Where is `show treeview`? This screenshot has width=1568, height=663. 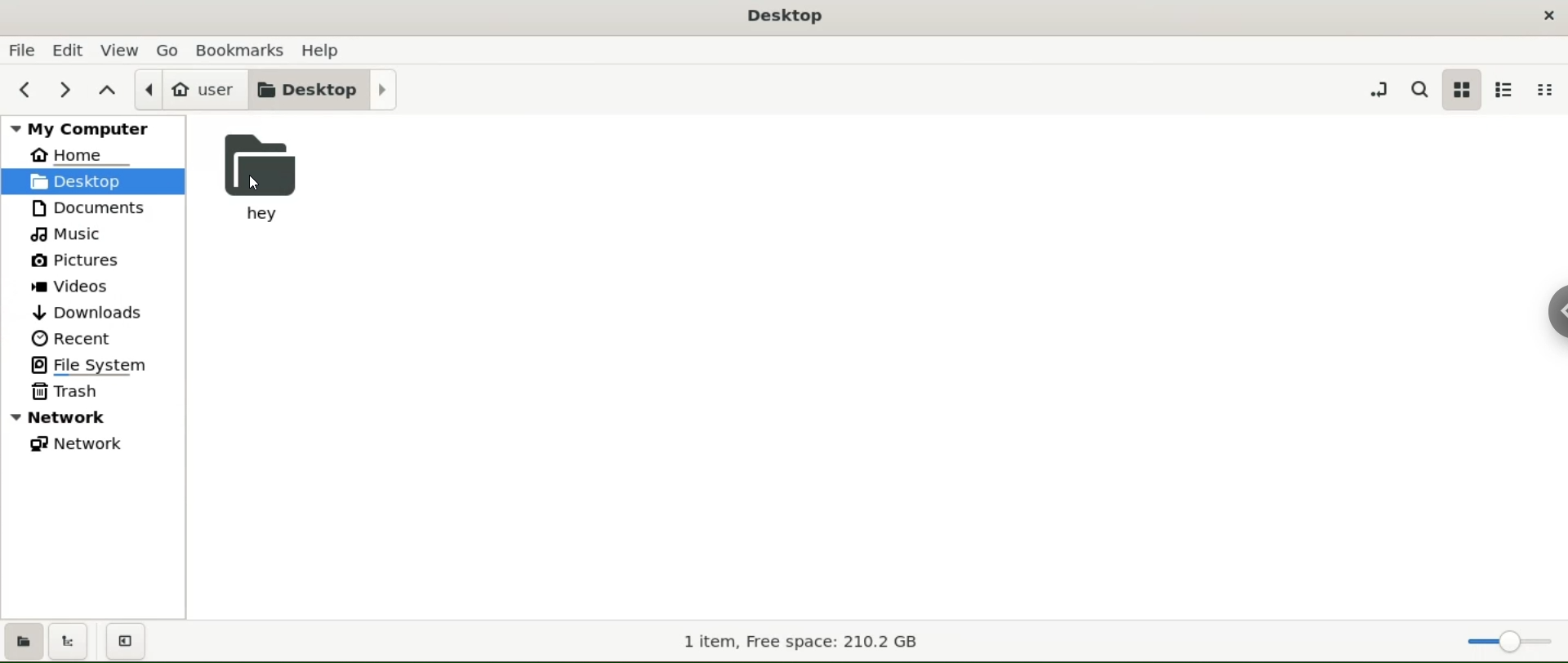 show treeview is located at coordinates (71, 641).